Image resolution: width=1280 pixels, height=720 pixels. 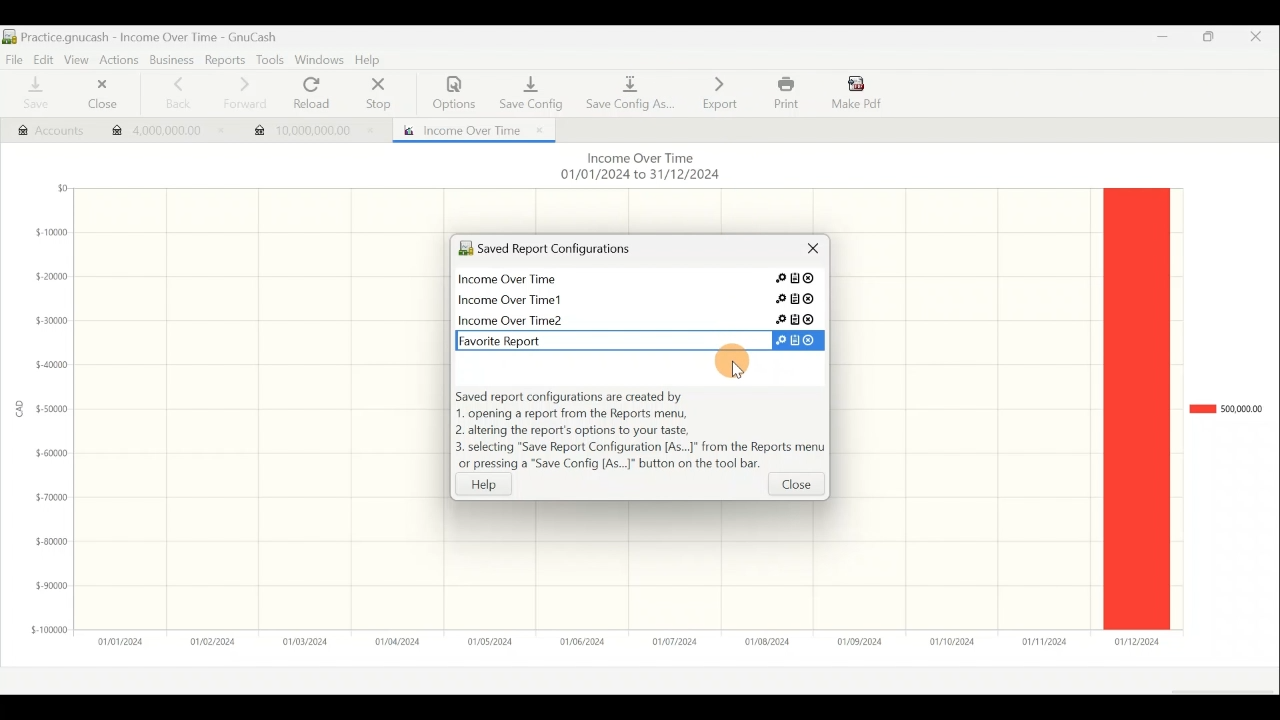 I want to click on Saved report configurations, so click(x=605, y=251).